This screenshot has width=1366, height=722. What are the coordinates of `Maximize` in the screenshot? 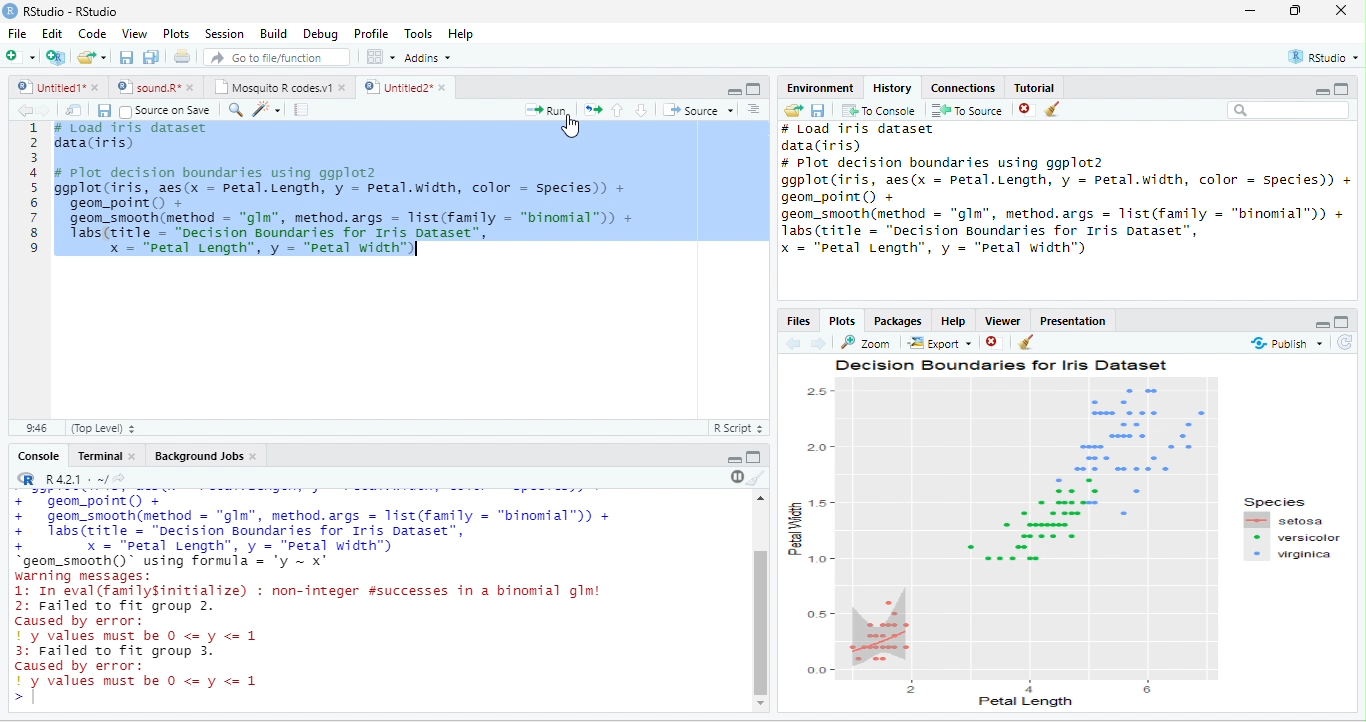 It's located at (754, 457).